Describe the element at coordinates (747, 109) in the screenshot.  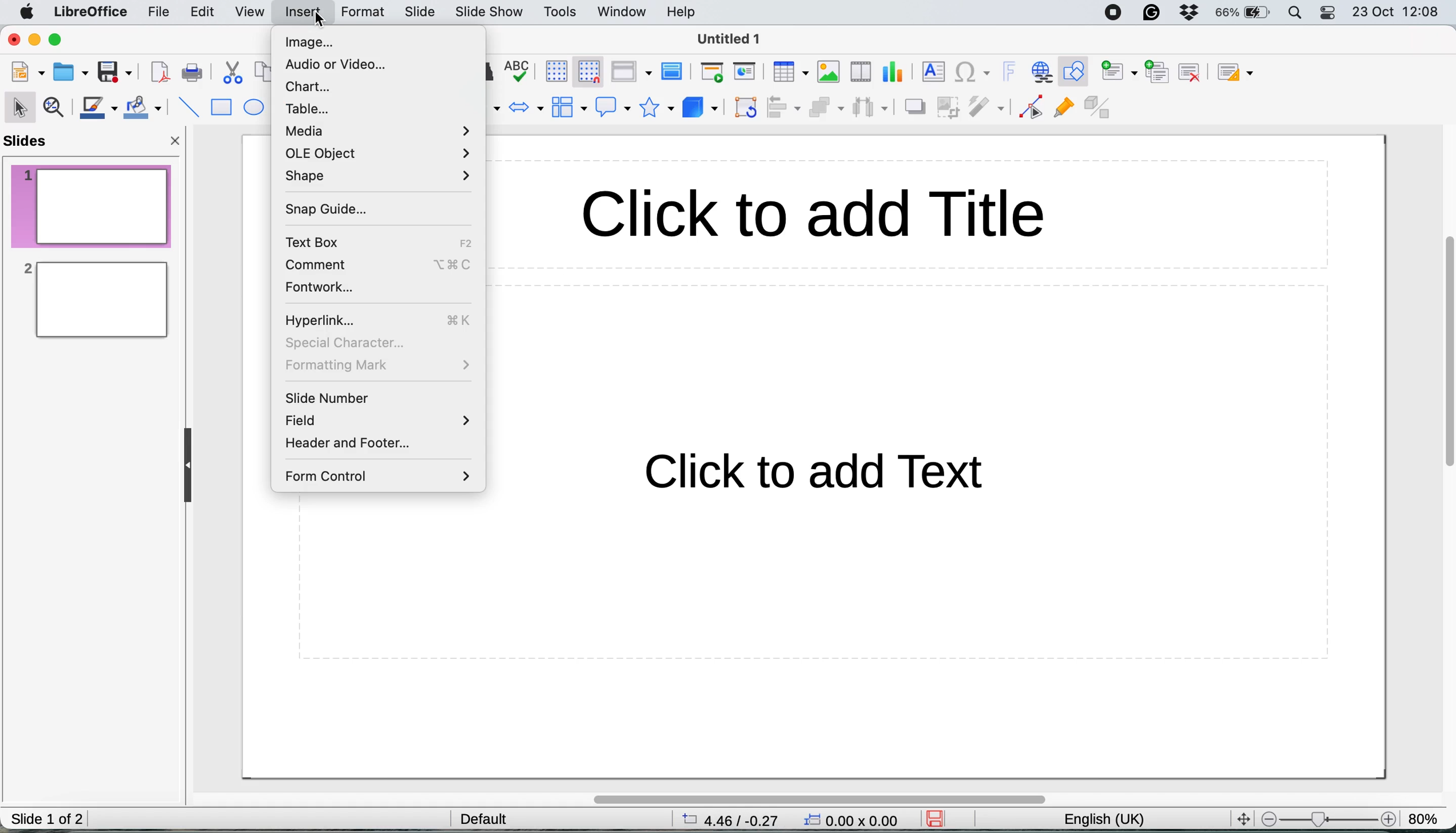
I see `transformations` at that location.